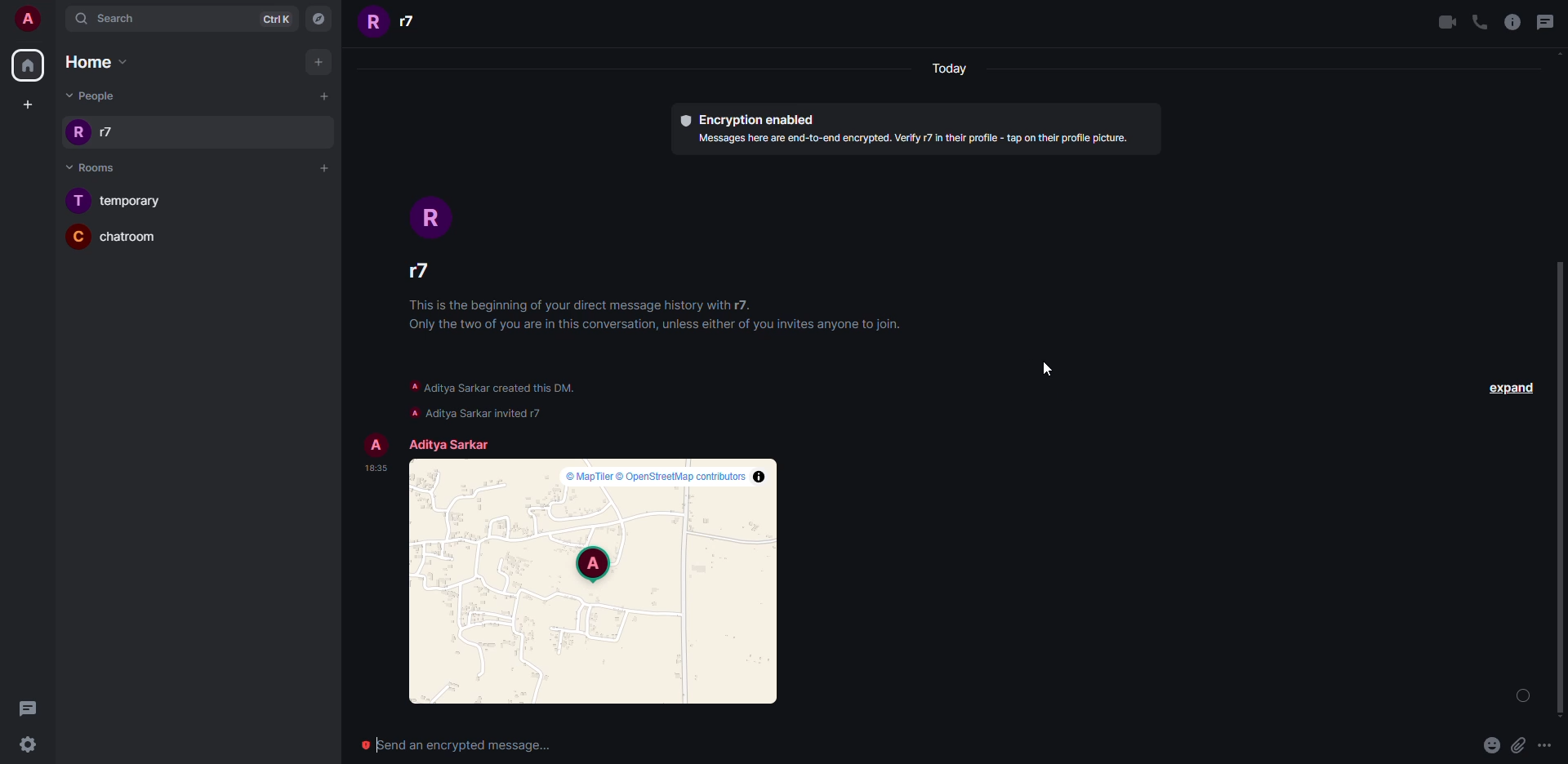  I want to click on video call, so click(1446, 22).